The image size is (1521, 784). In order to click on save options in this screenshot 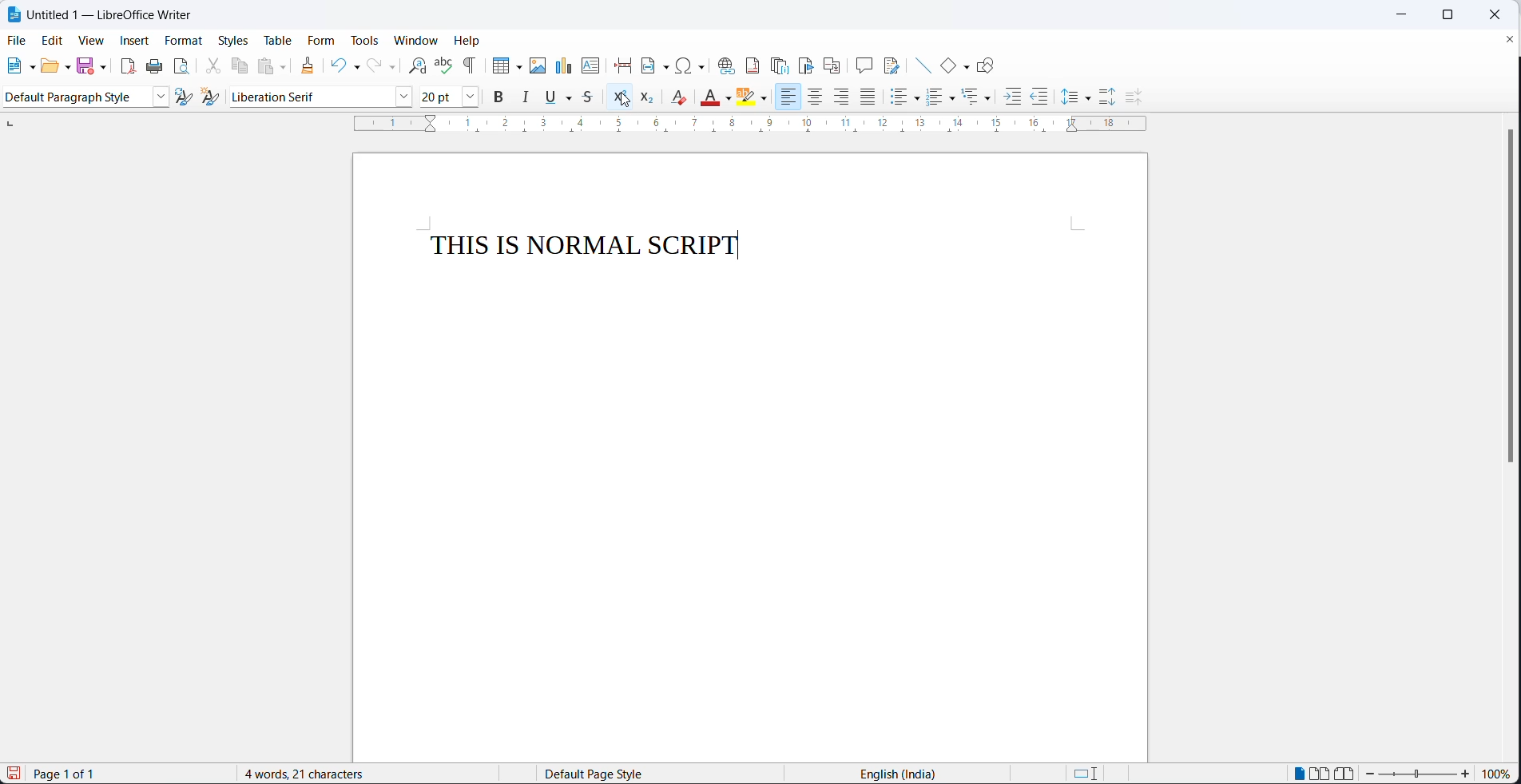, I will do `click(103, 67)`.